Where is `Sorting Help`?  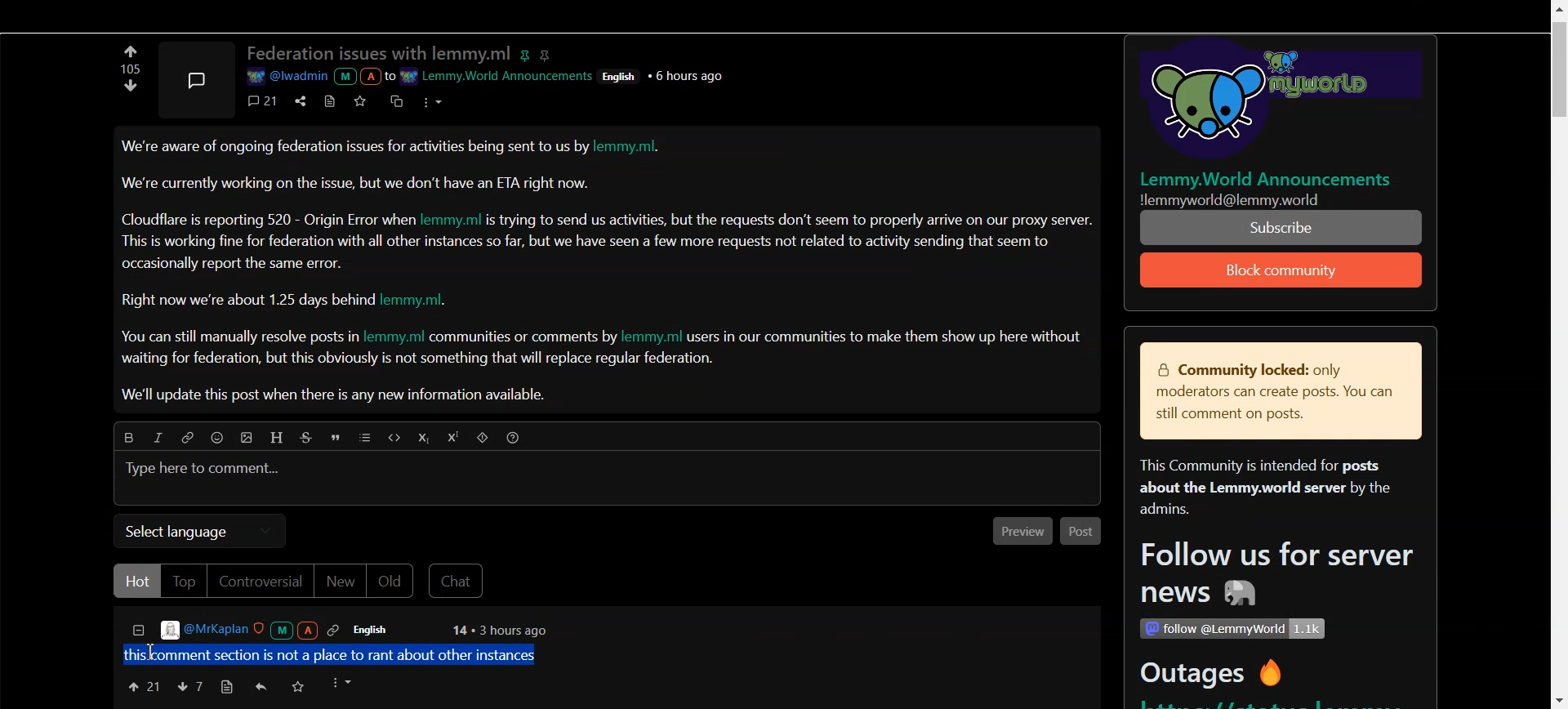 Sorting Help is located at coordinates (514, 437).